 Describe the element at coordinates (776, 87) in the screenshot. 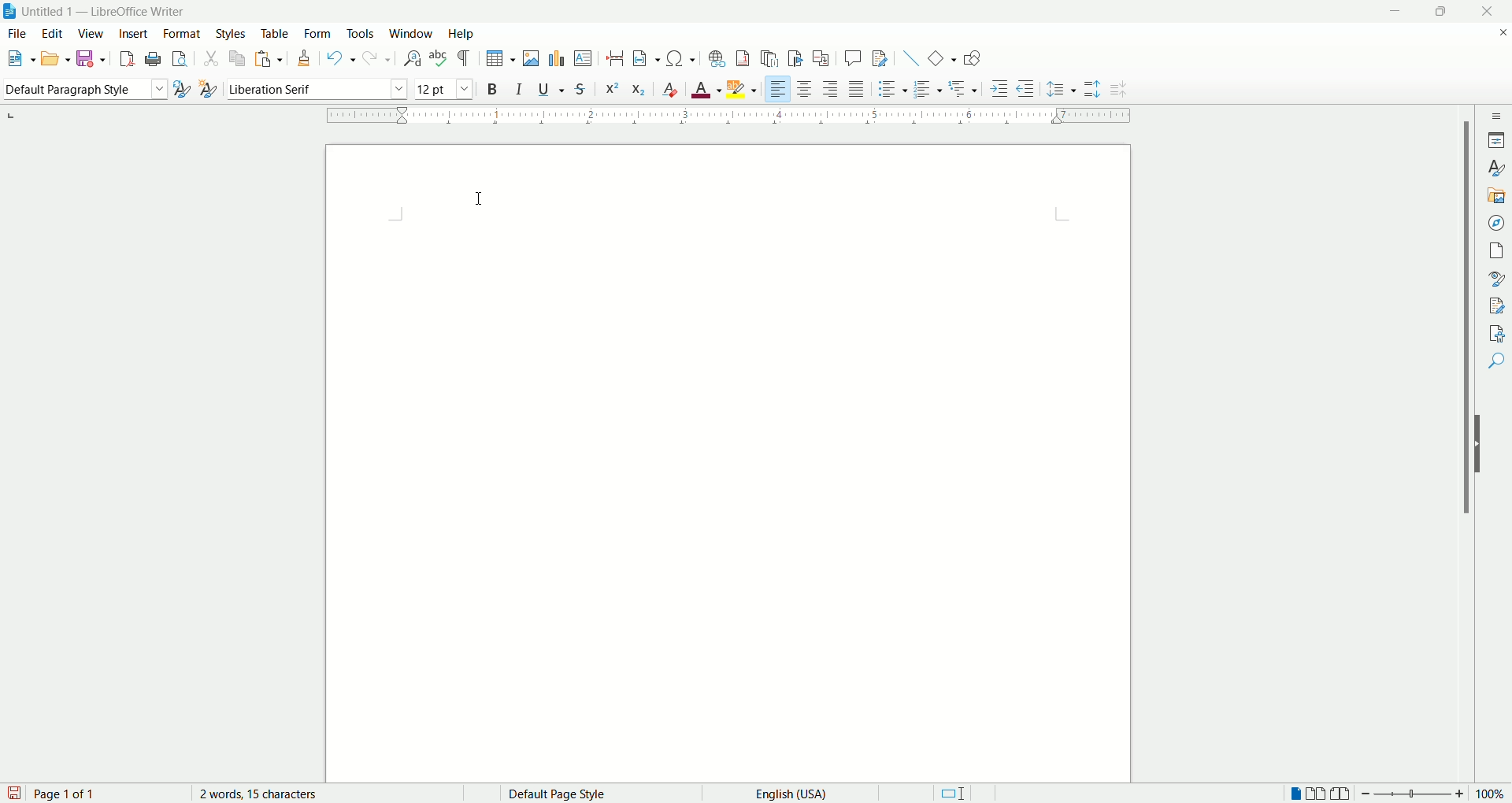

I see `left align` at that location.